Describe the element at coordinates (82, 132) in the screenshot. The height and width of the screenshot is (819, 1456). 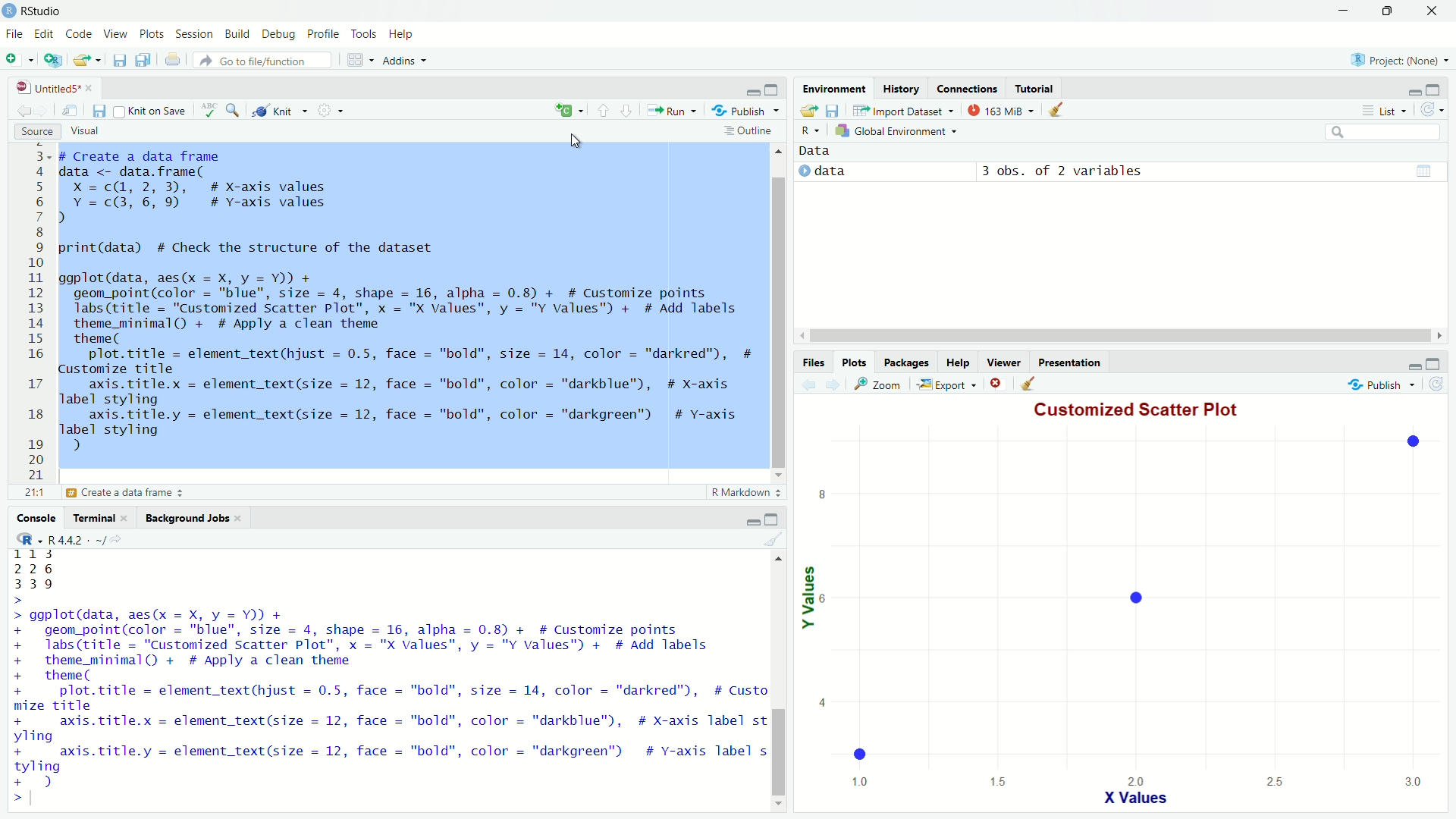
I see `Visual` at that location.